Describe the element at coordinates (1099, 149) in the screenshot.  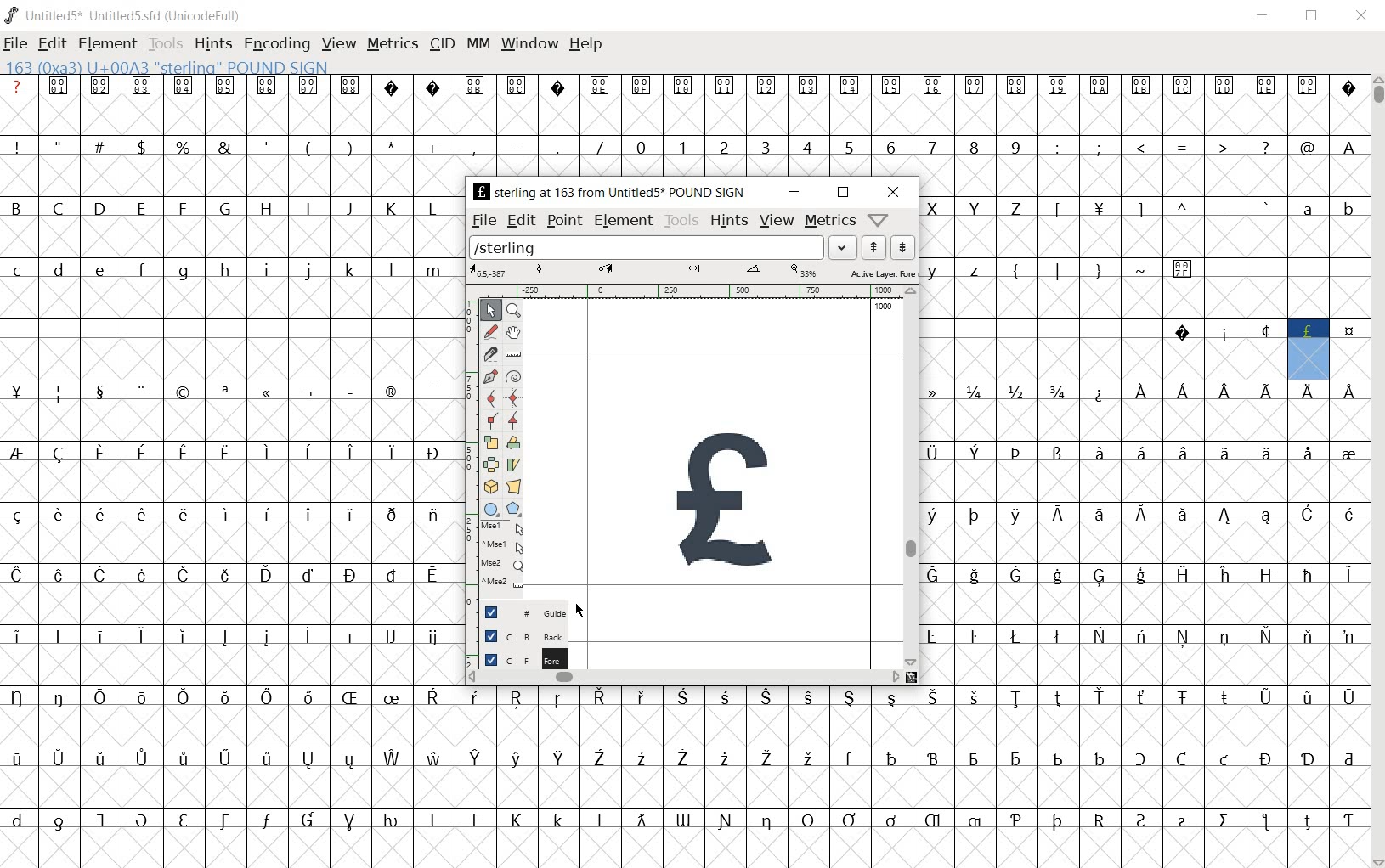
I see `;` at that location.